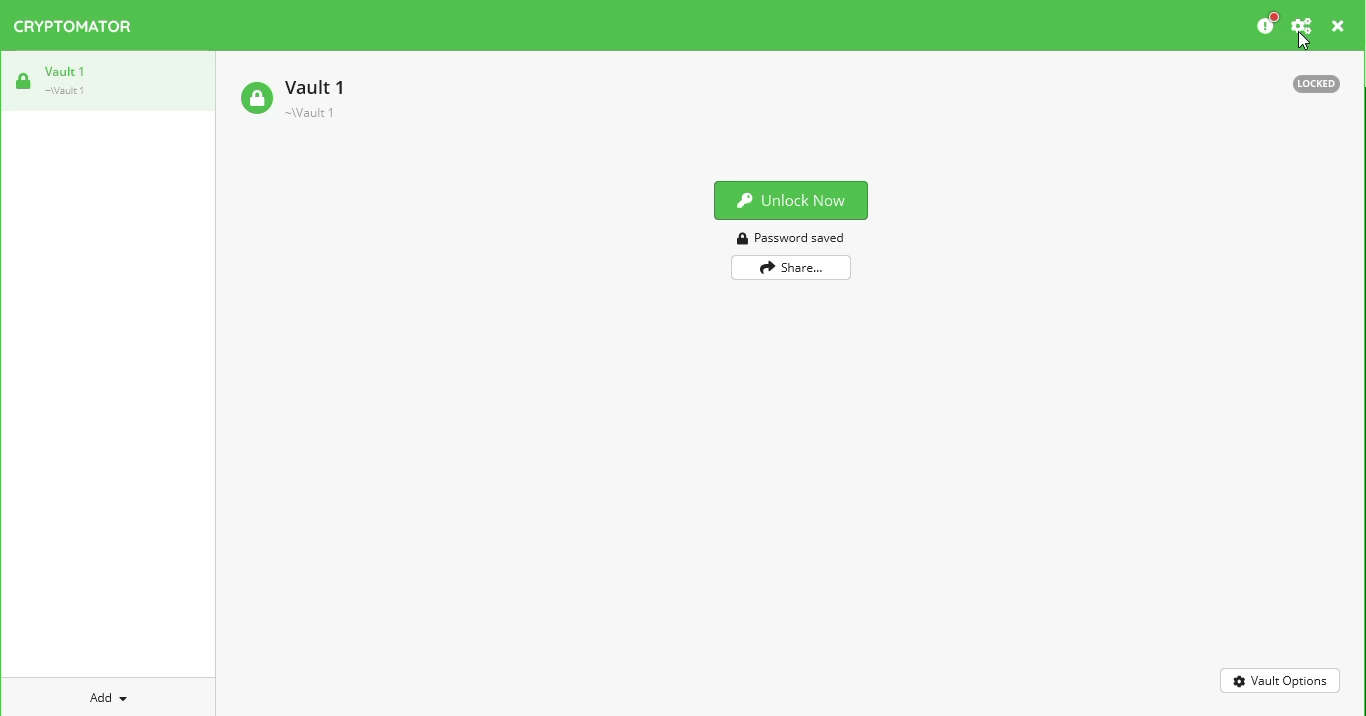 Image resolution: width=1366 pixels, height=716 pixels. What do you see at coordinates (790, 237) in the screenshot?
I see `password saved` at bounding box center [790, 237].